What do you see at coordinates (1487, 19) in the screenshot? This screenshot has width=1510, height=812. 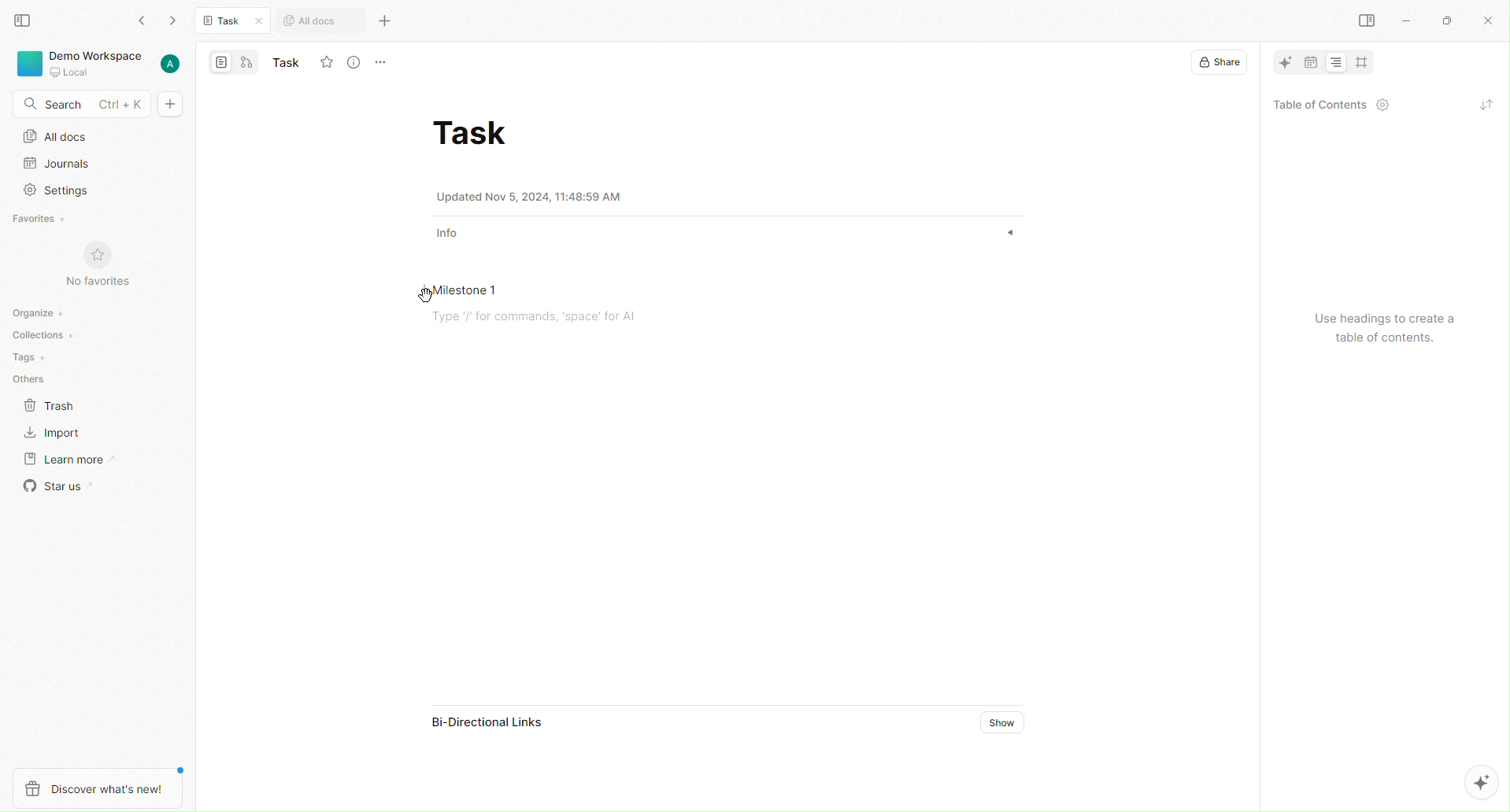 I see `Close` at bounding box center [1487, 19].